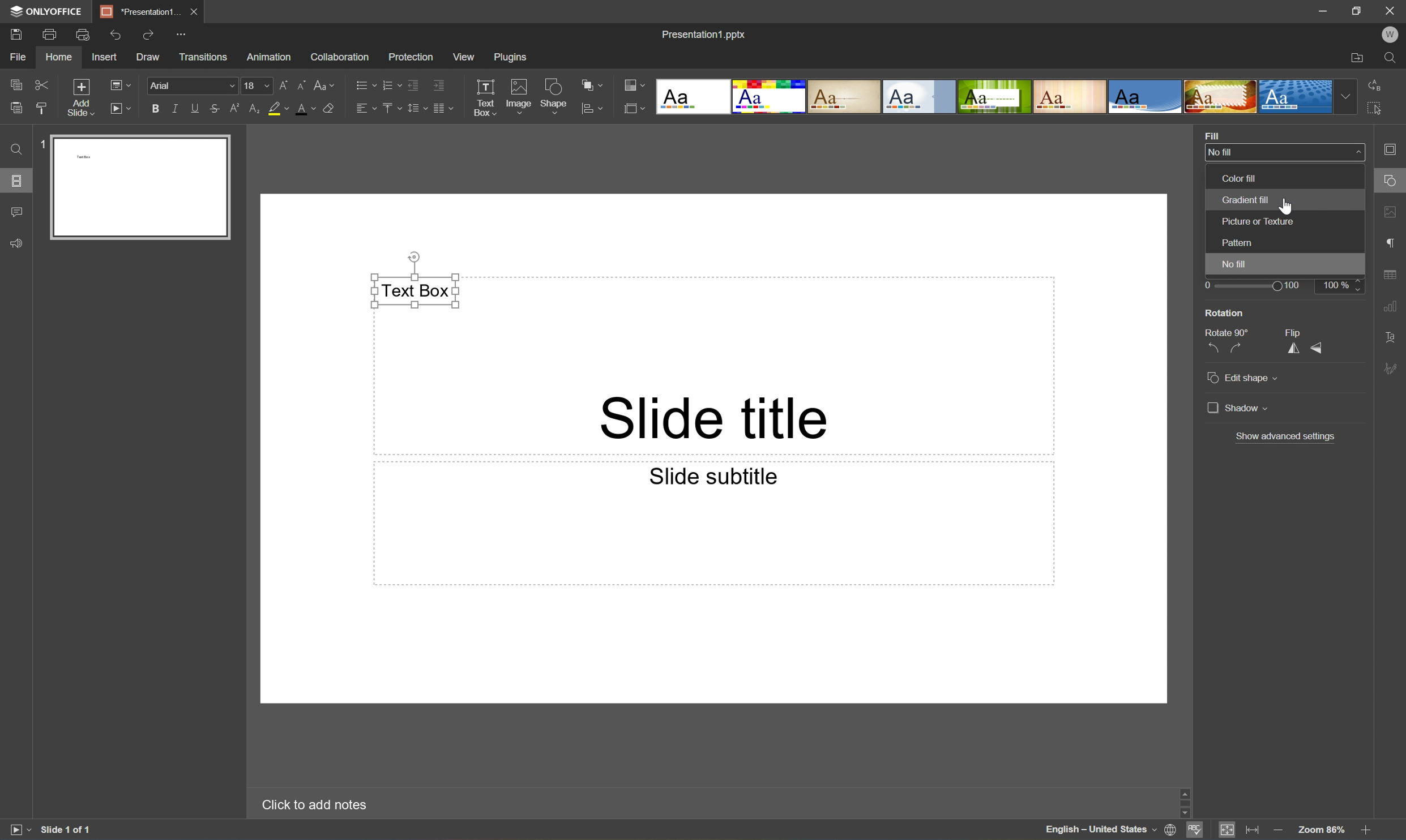 The width and height of the screenshot is (1406, 840). I want to click on 1, so click(43, 142).